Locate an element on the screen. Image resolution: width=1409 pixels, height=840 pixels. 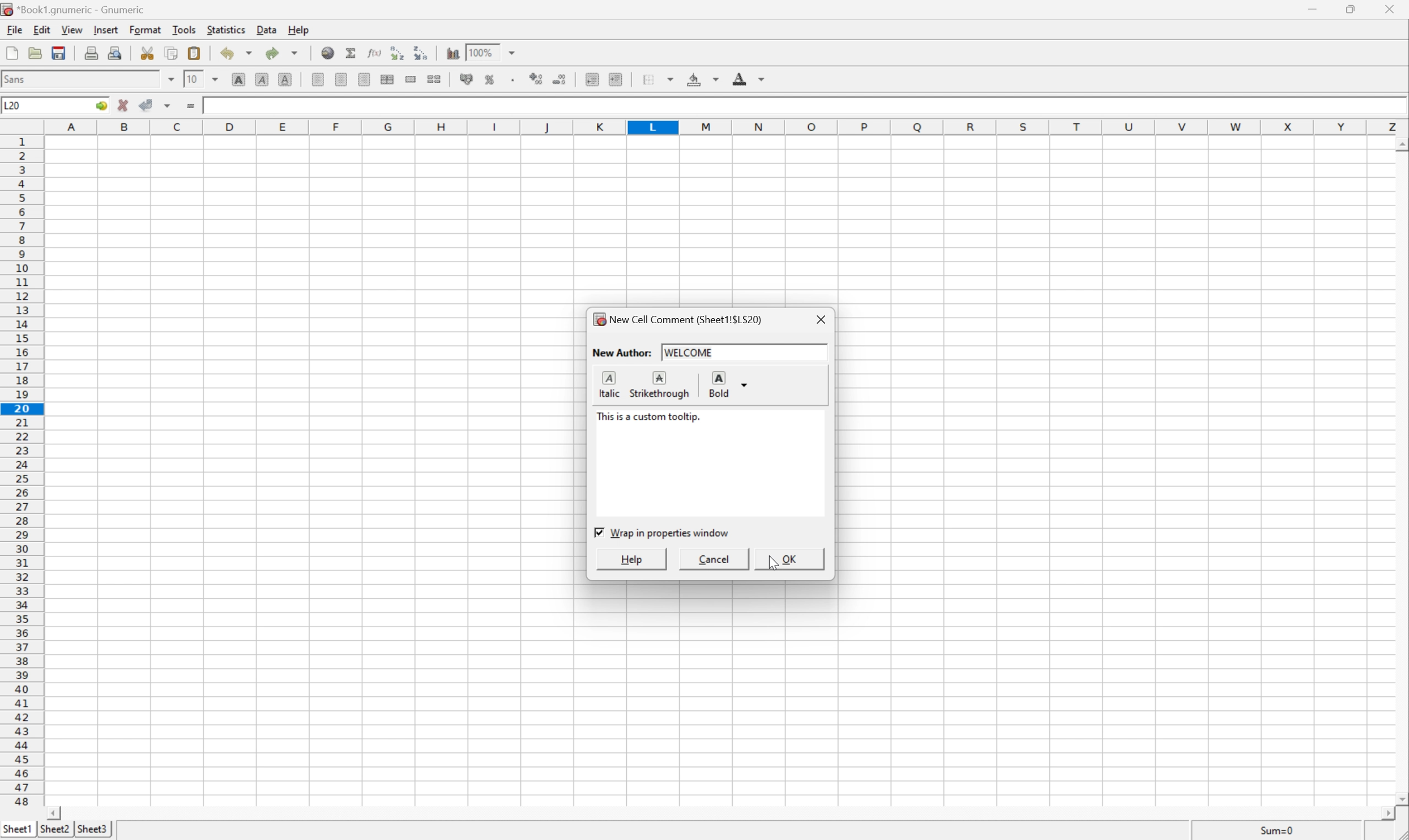
Drop Down is located at coordinates (215, 79).